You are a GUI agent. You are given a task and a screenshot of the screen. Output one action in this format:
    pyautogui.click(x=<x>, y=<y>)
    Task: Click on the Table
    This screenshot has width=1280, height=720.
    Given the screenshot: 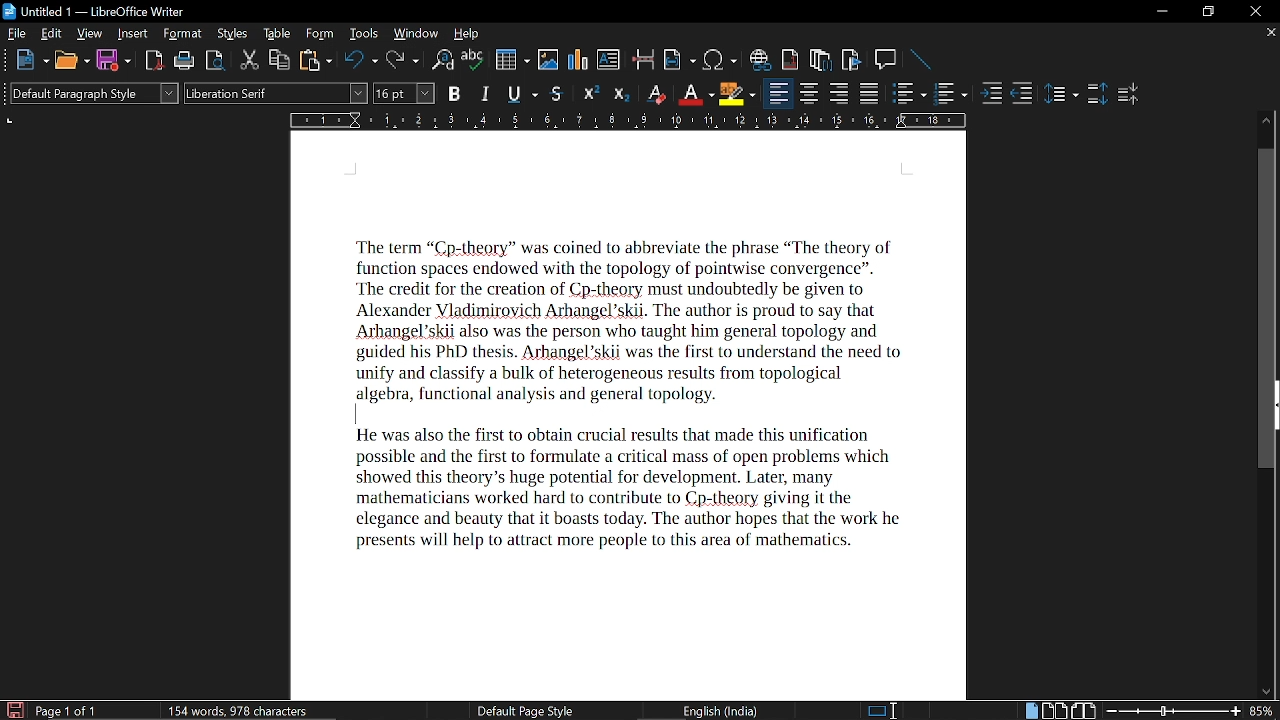 What is the action you would take?
    pyautogui.click(x=275, y=34)
    